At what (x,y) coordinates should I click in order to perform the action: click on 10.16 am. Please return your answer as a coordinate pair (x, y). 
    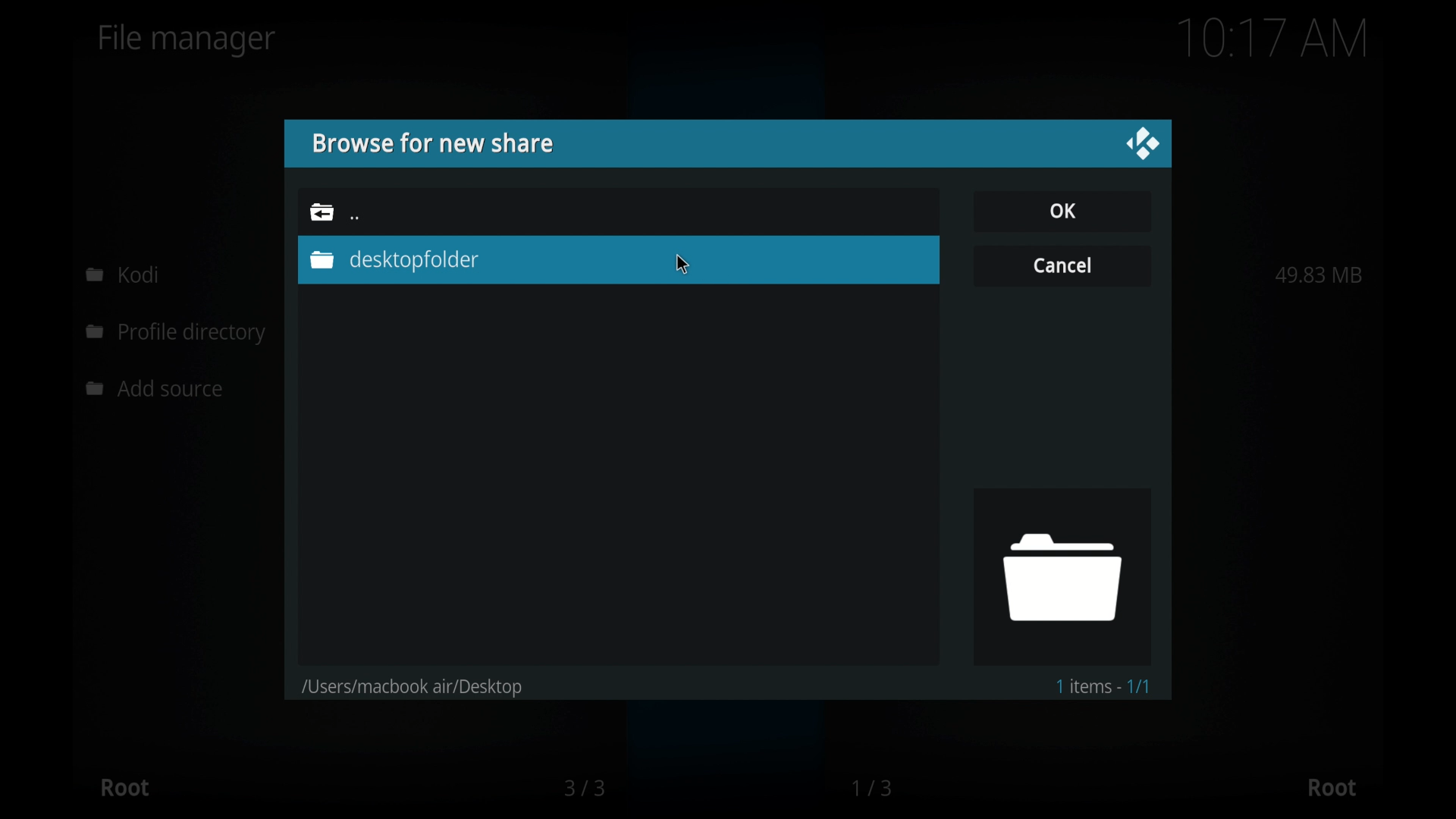
    Looking at the image, I should click on (1273, 38).